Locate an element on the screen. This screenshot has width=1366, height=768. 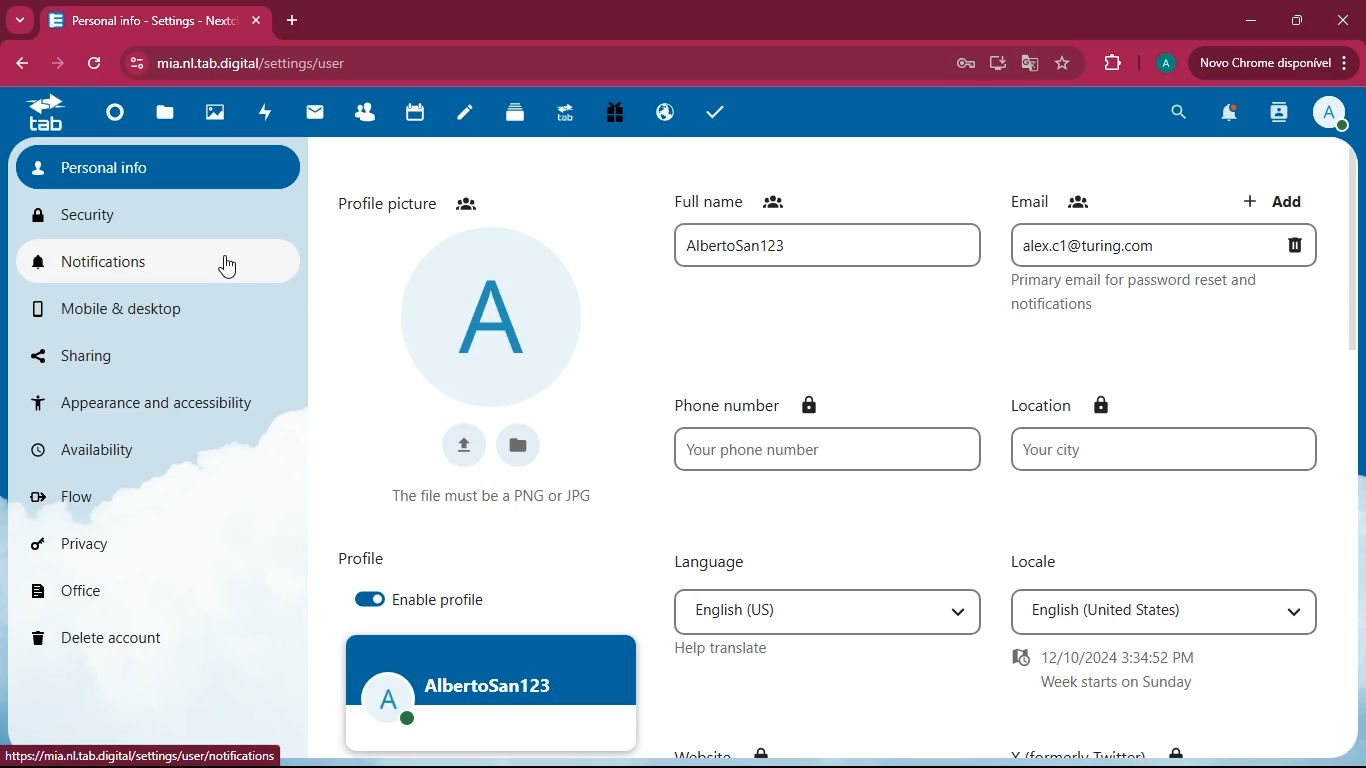
maximize is located at coordinates (1294, 21).